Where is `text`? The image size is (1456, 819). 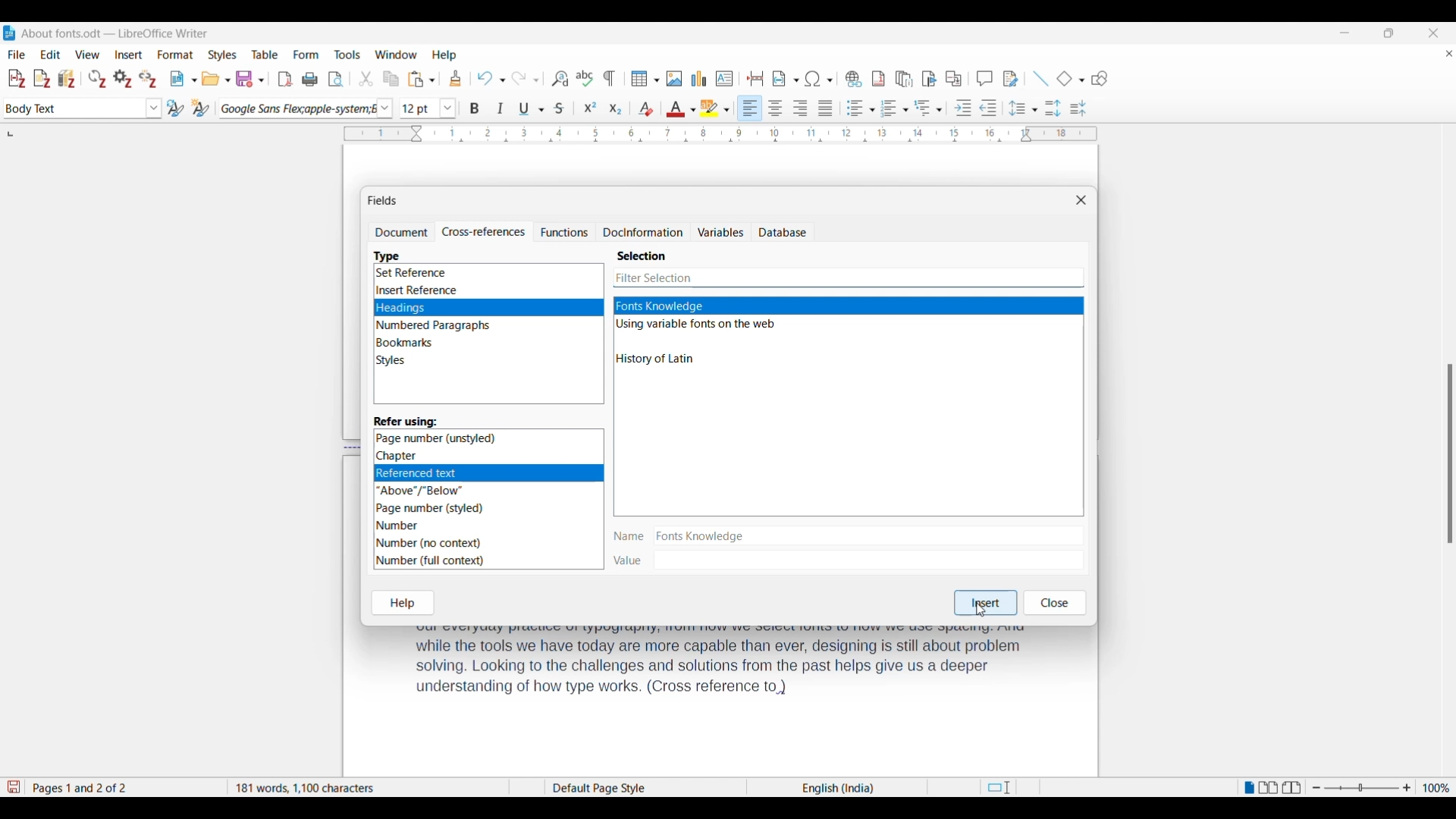 text is located at coordinates (719, 664).